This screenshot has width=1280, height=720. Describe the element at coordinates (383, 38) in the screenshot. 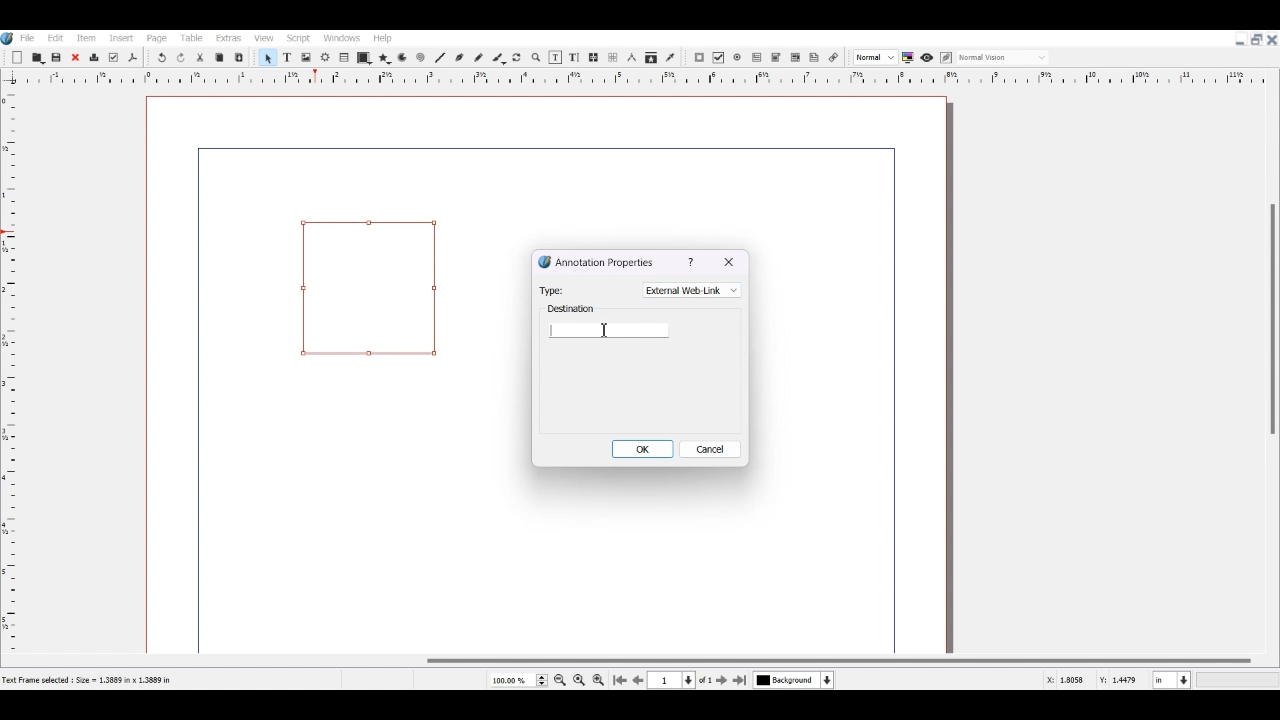

I see `Help` at that location.